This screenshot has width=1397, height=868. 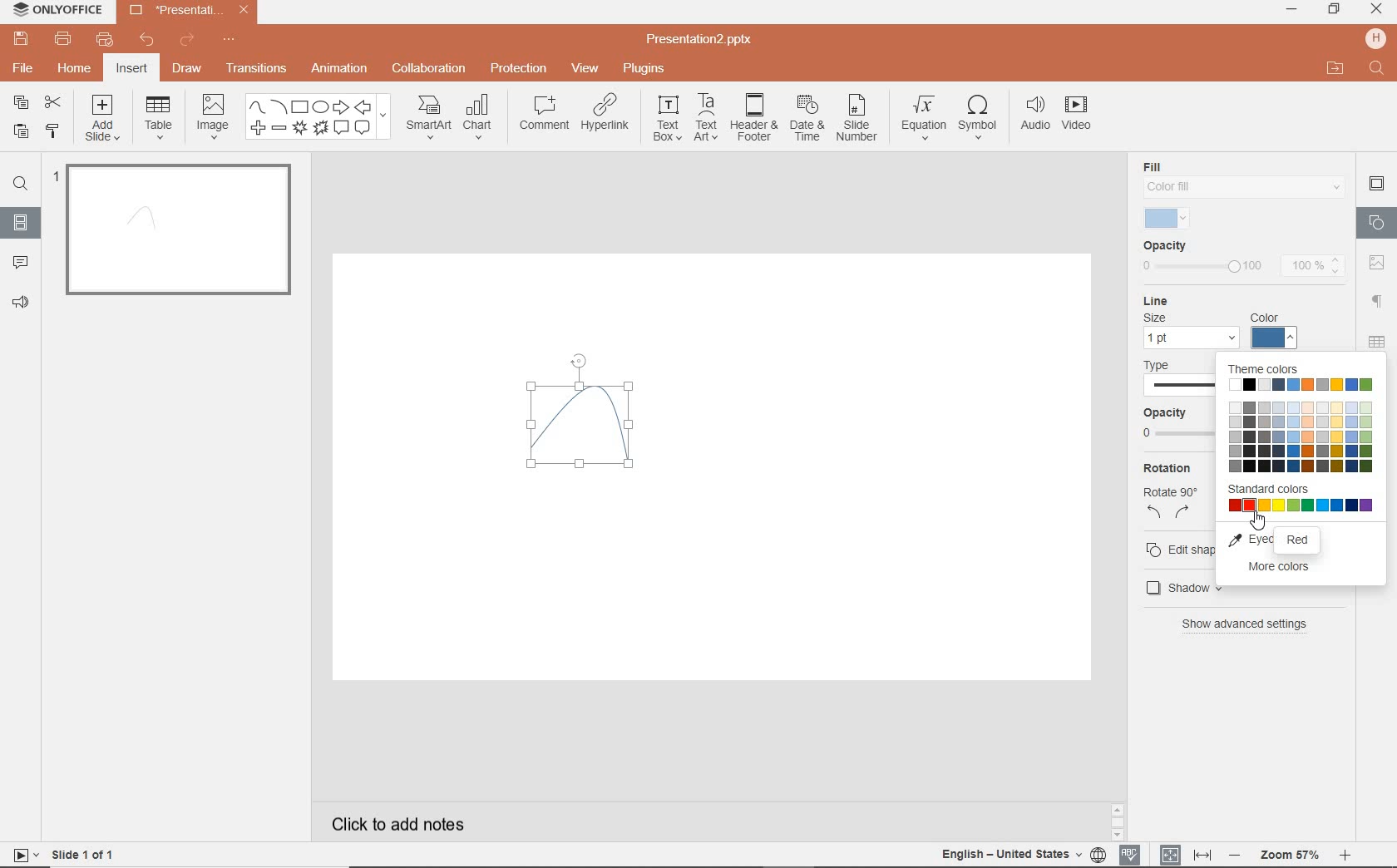 What do you see at coordinates (187, 41) in the screenshot?
I see `REDO` at bounding box center [187, 41].